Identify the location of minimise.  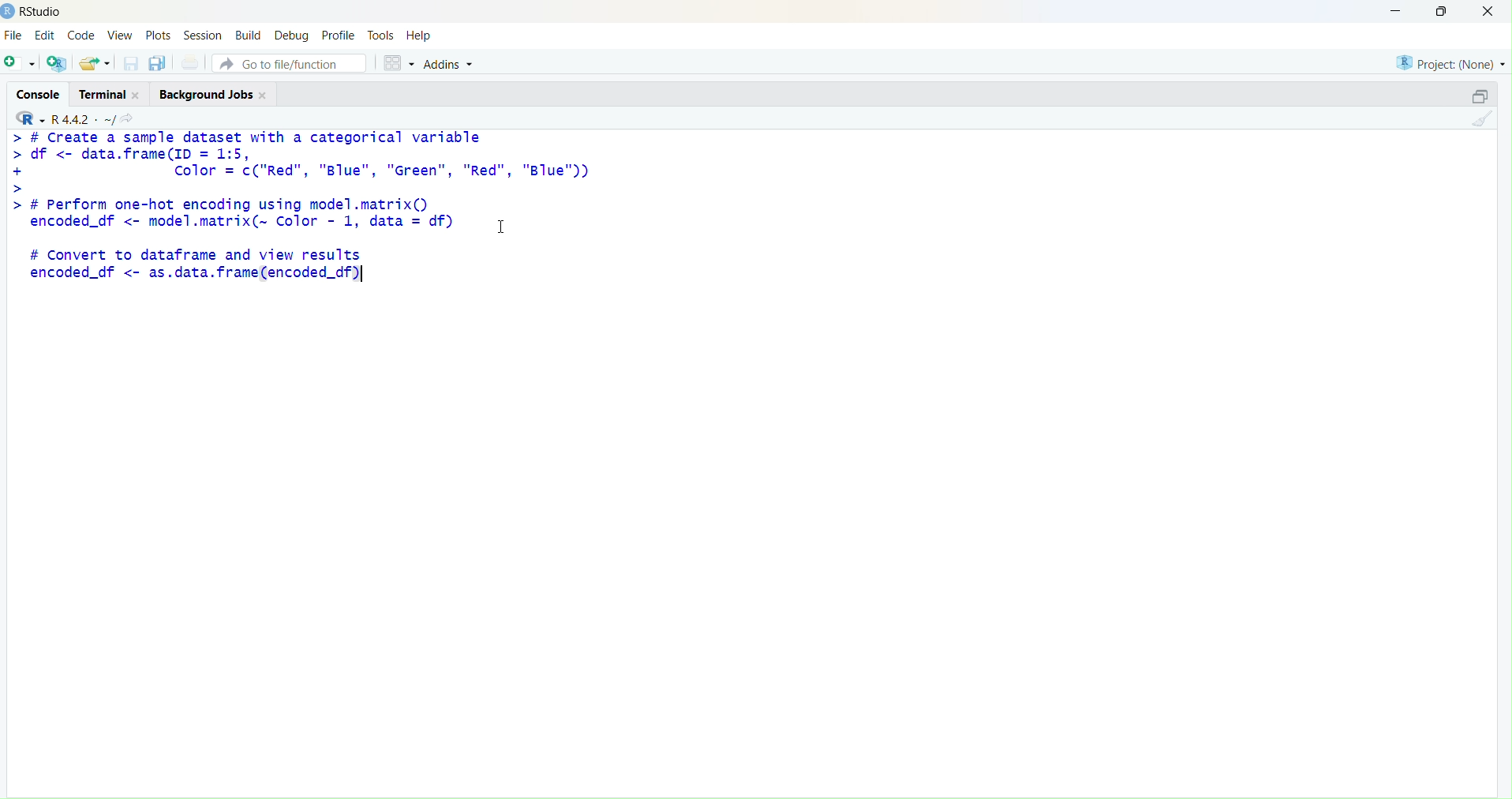
(1396, 11).